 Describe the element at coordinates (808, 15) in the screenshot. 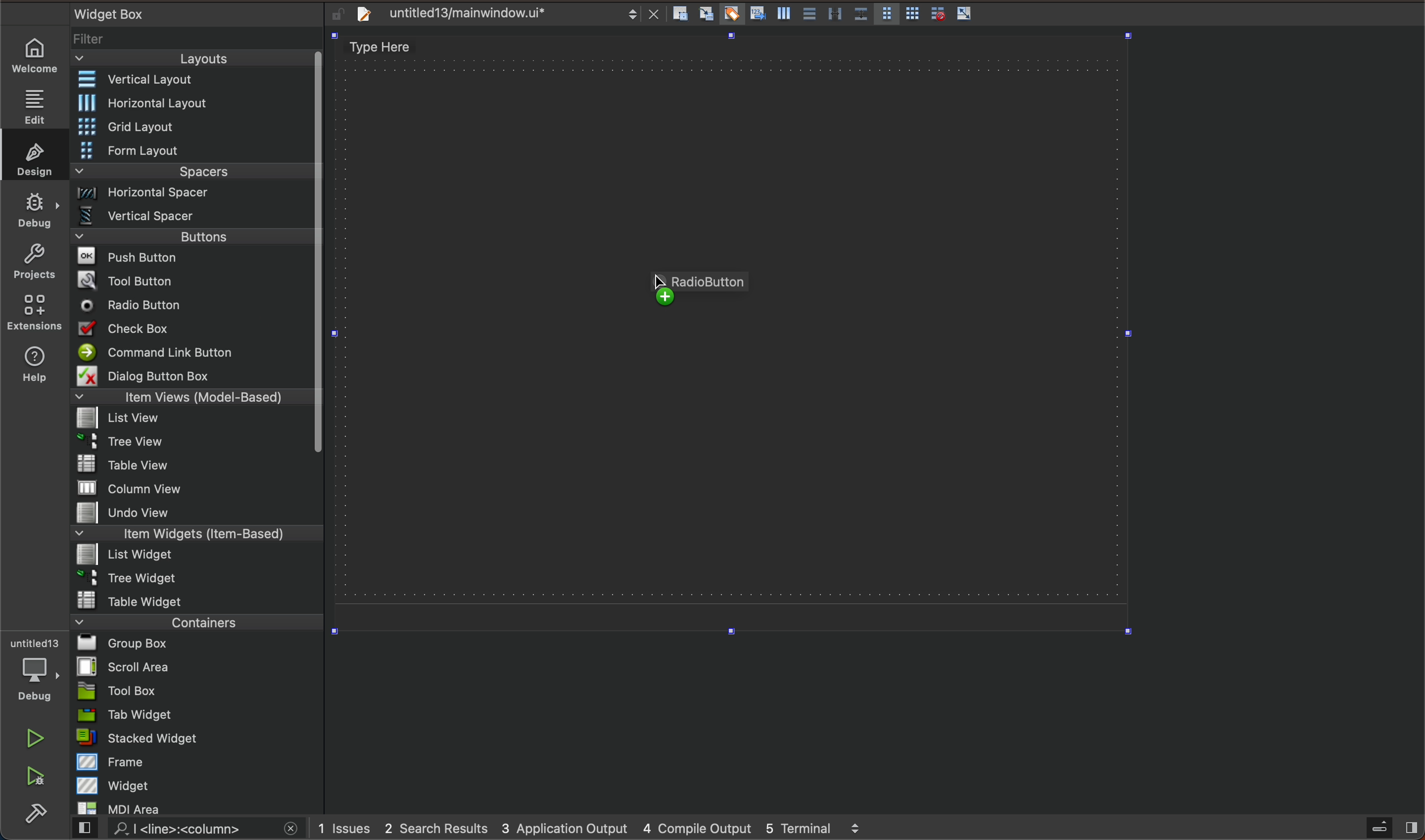

I see `` at that location.